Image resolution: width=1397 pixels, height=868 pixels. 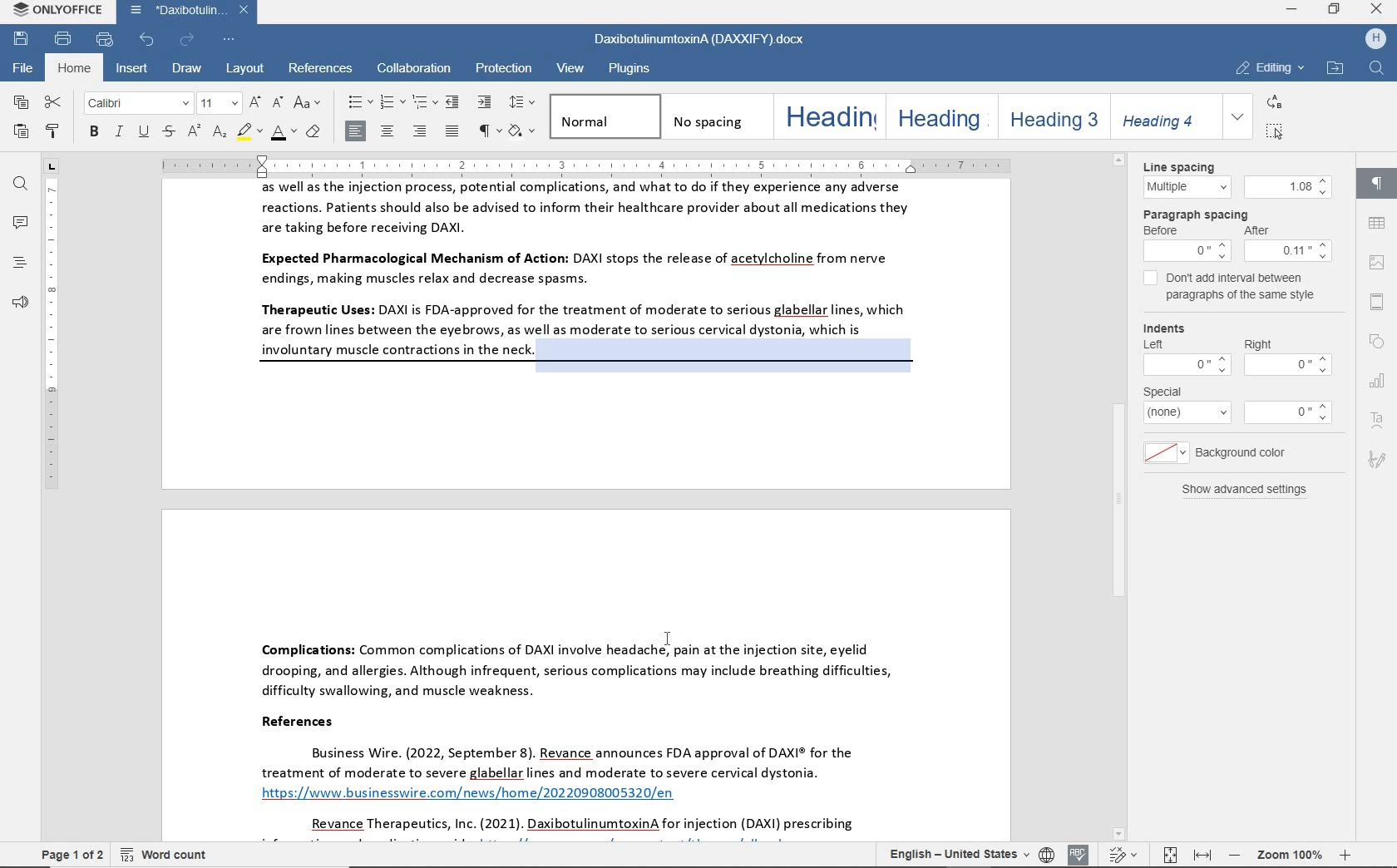 What do you see at coordinates (76, 68) in the screenshot?
I see `home` at bounding box center [76, 68].